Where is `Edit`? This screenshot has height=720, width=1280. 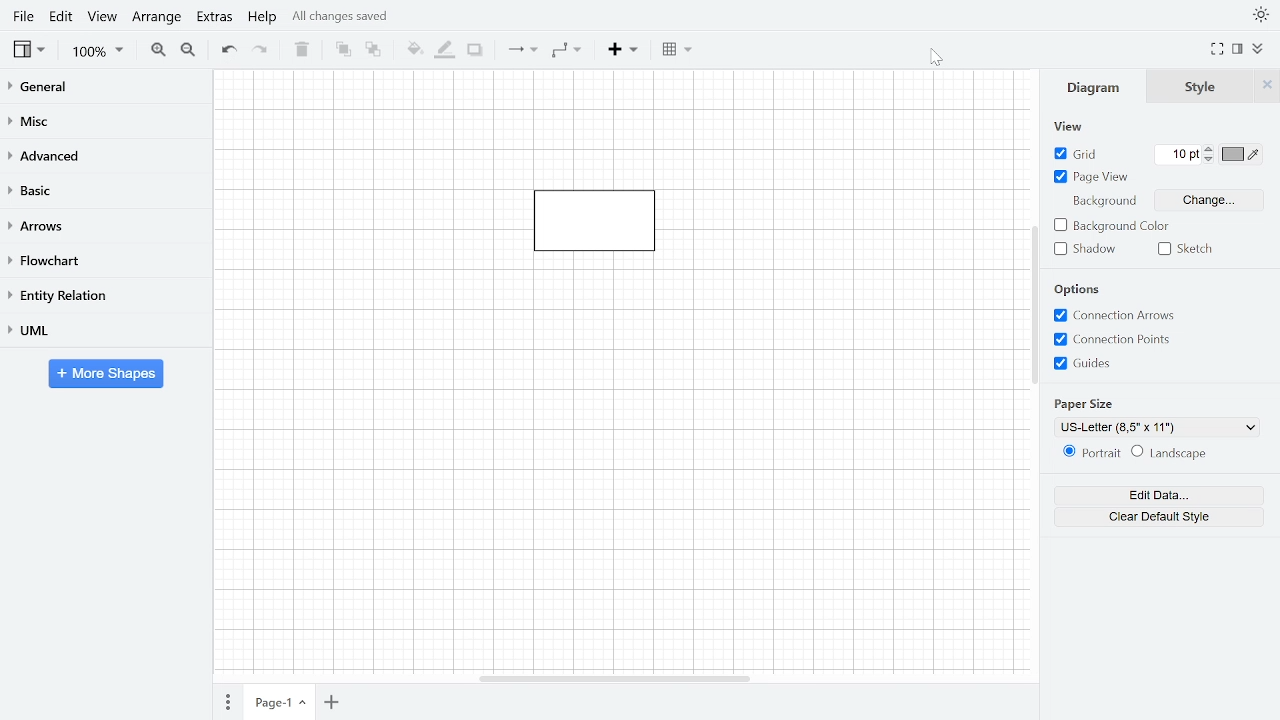
Edit is located at coordinates (63, 17).